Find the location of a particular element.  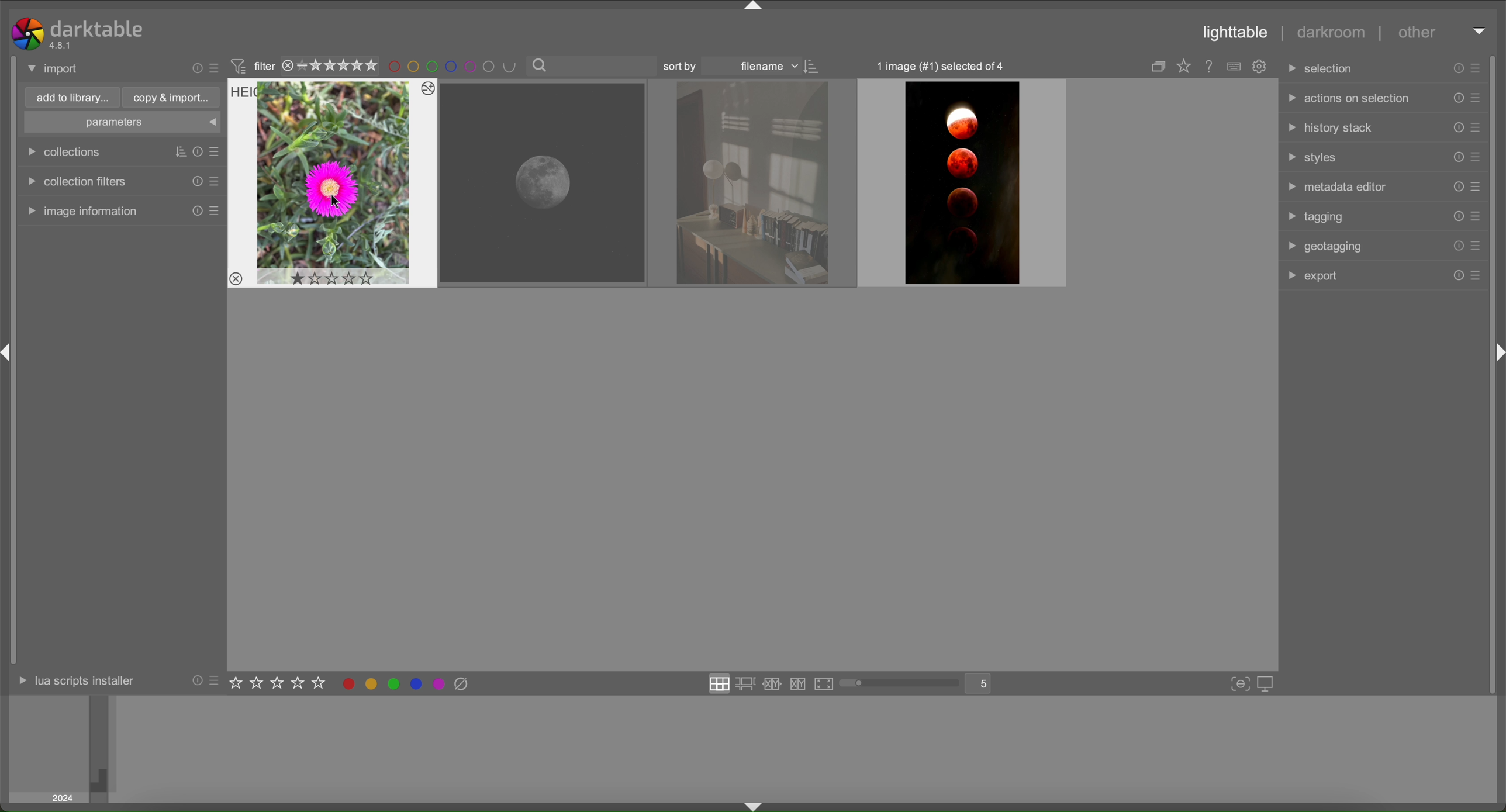

presets is located at coordinates (215, 680).